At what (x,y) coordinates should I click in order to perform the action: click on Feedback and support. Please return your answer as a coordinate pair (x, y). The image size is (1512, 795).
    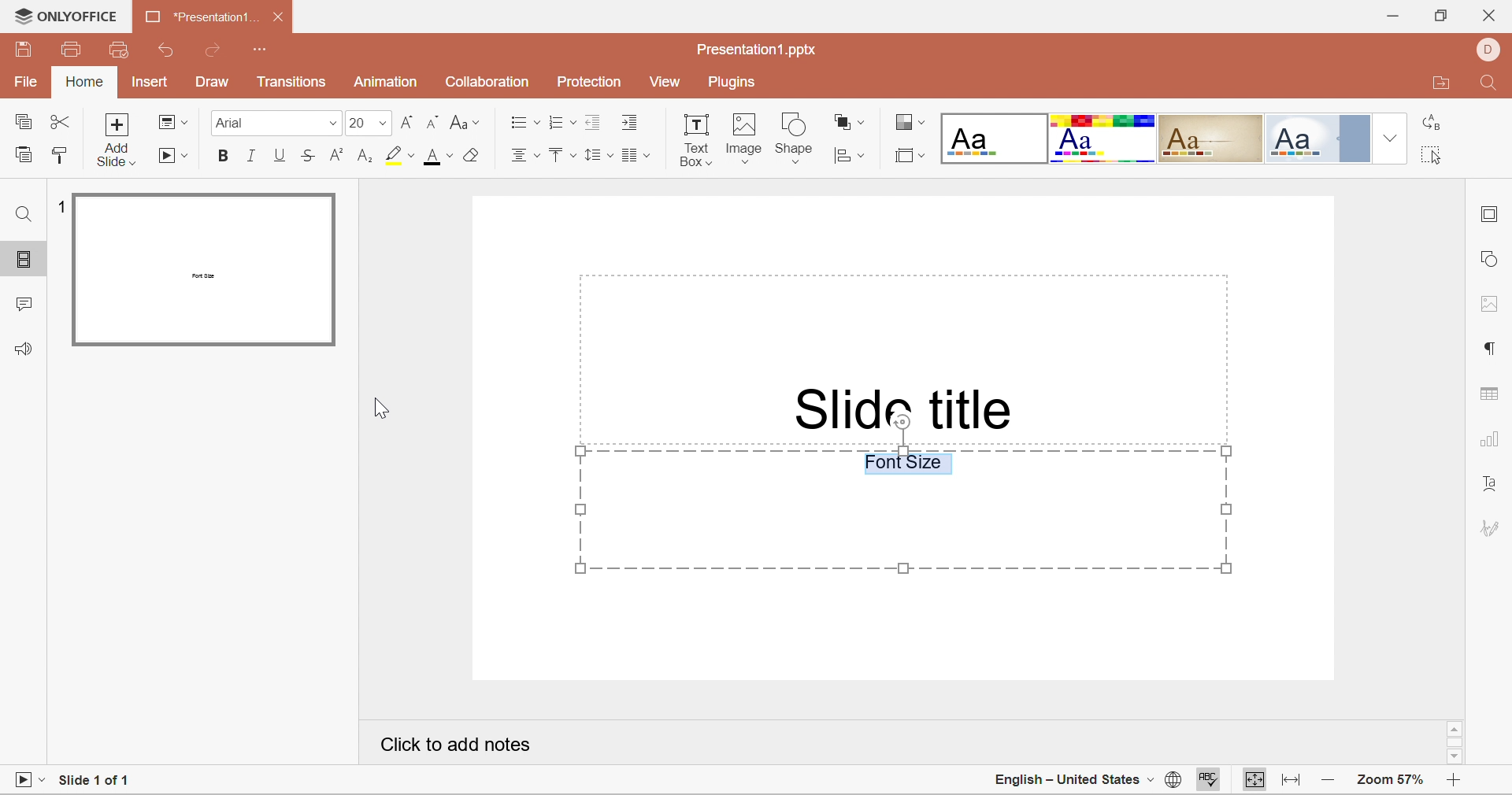
    Looking at the image, I should click on (27, 349).